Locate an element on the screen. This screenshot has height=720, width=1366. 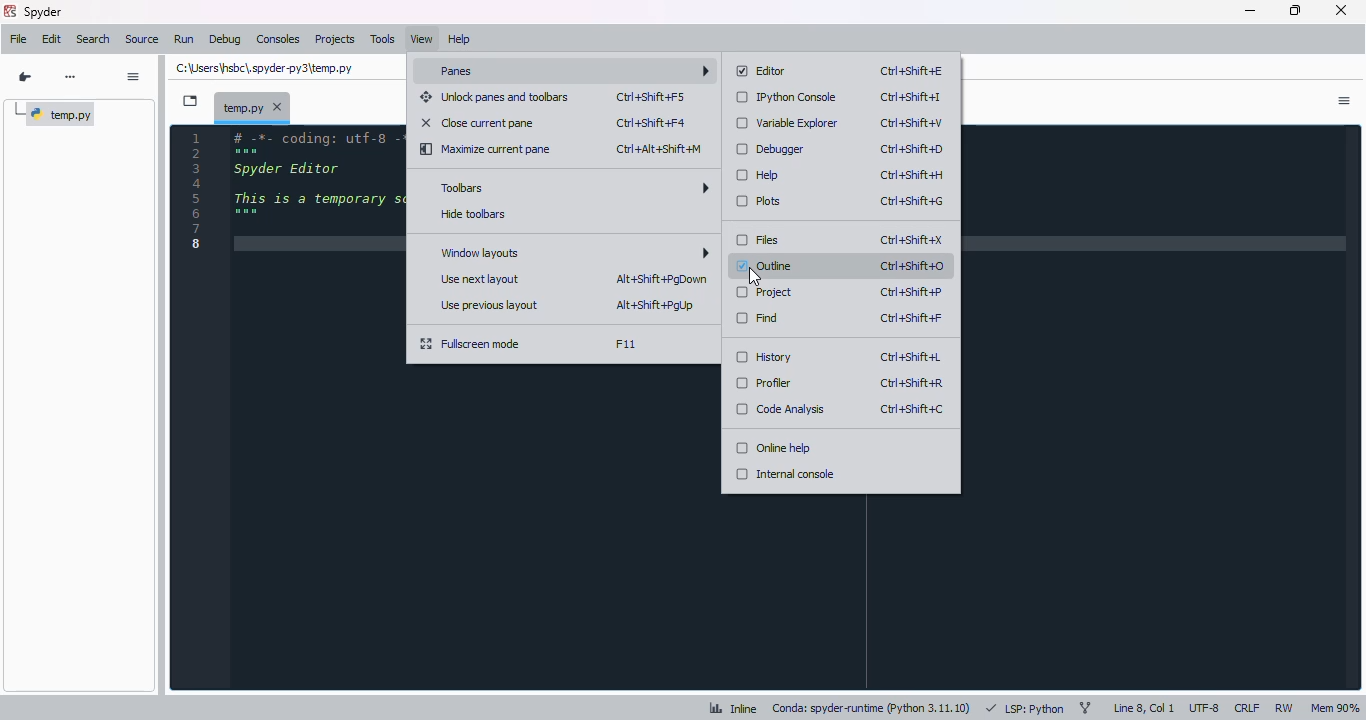
file is located at coordinates (19, 39).